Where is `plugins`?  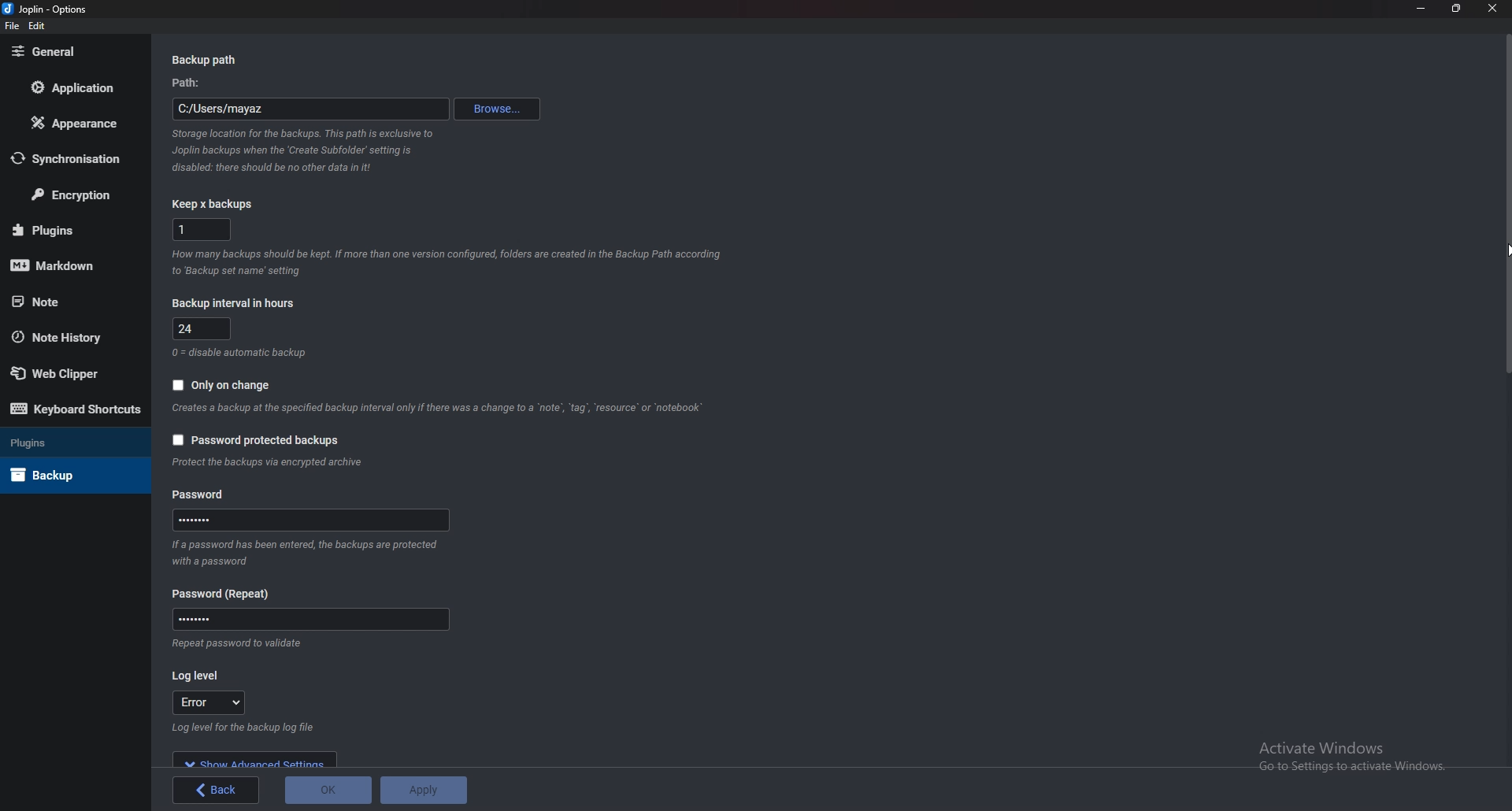
plugins is located at coordinates (66, 229).